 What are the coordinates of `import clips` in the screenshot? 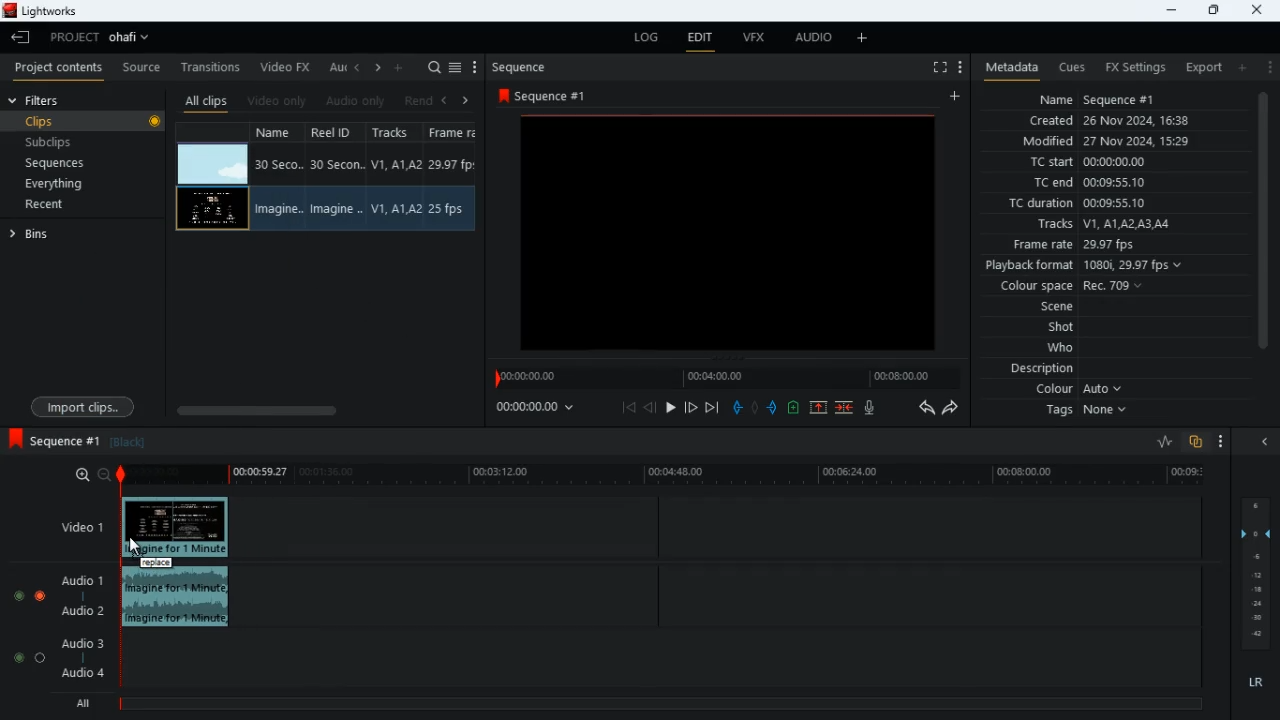 It's located at (83, 406).